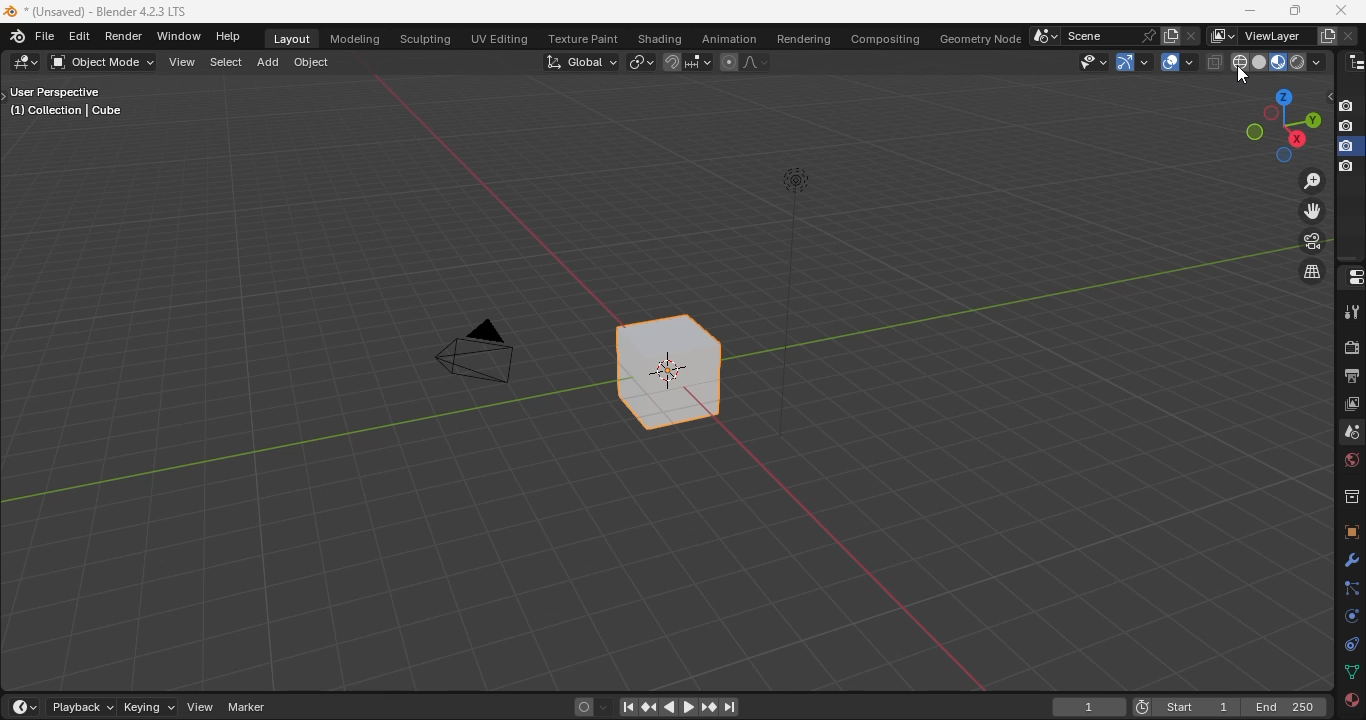  I want to click on texture paint, so click(585, 37).